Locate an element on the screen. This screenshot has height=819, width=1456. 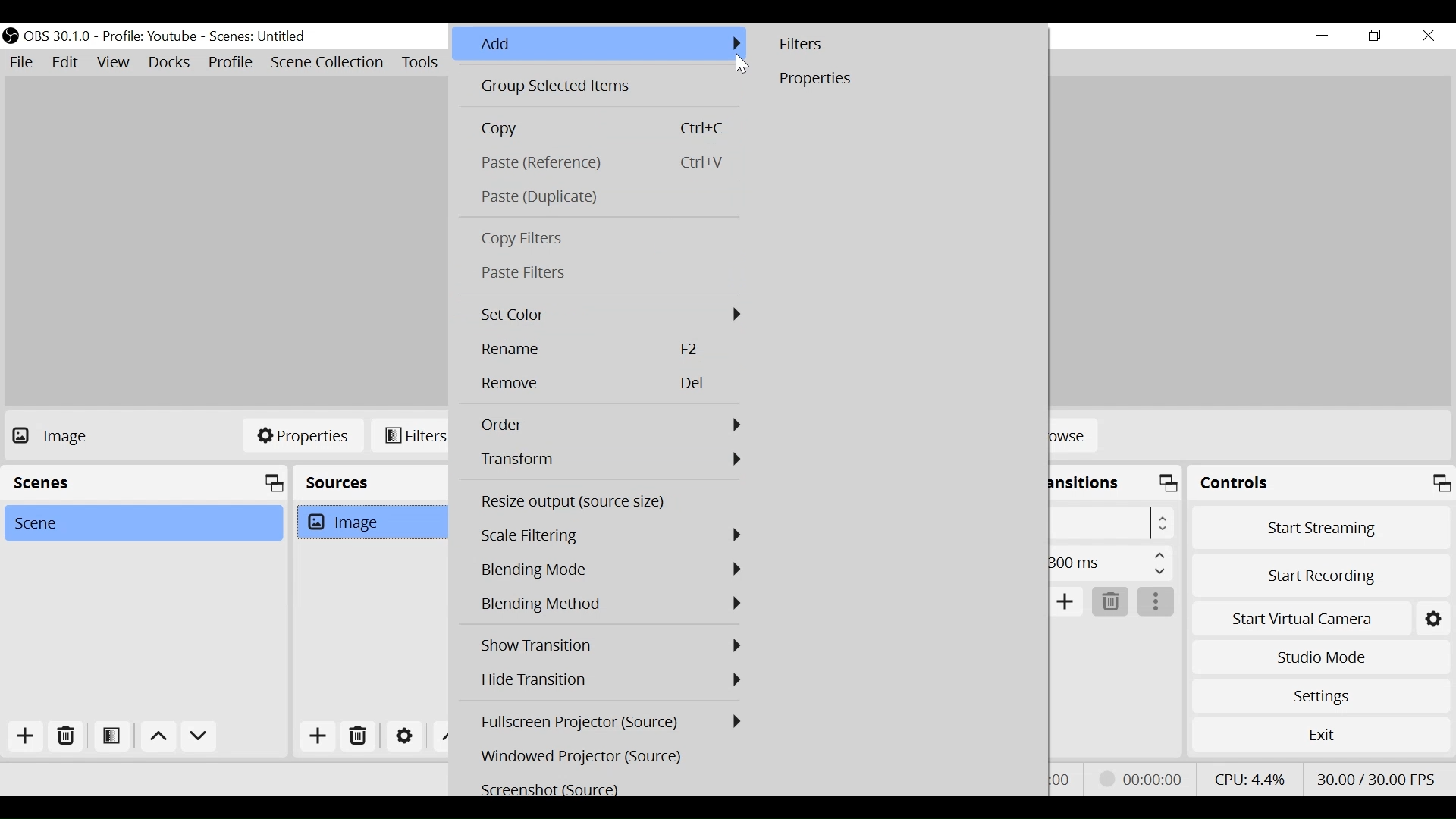
Duration is located at coordinates (1111, 565).